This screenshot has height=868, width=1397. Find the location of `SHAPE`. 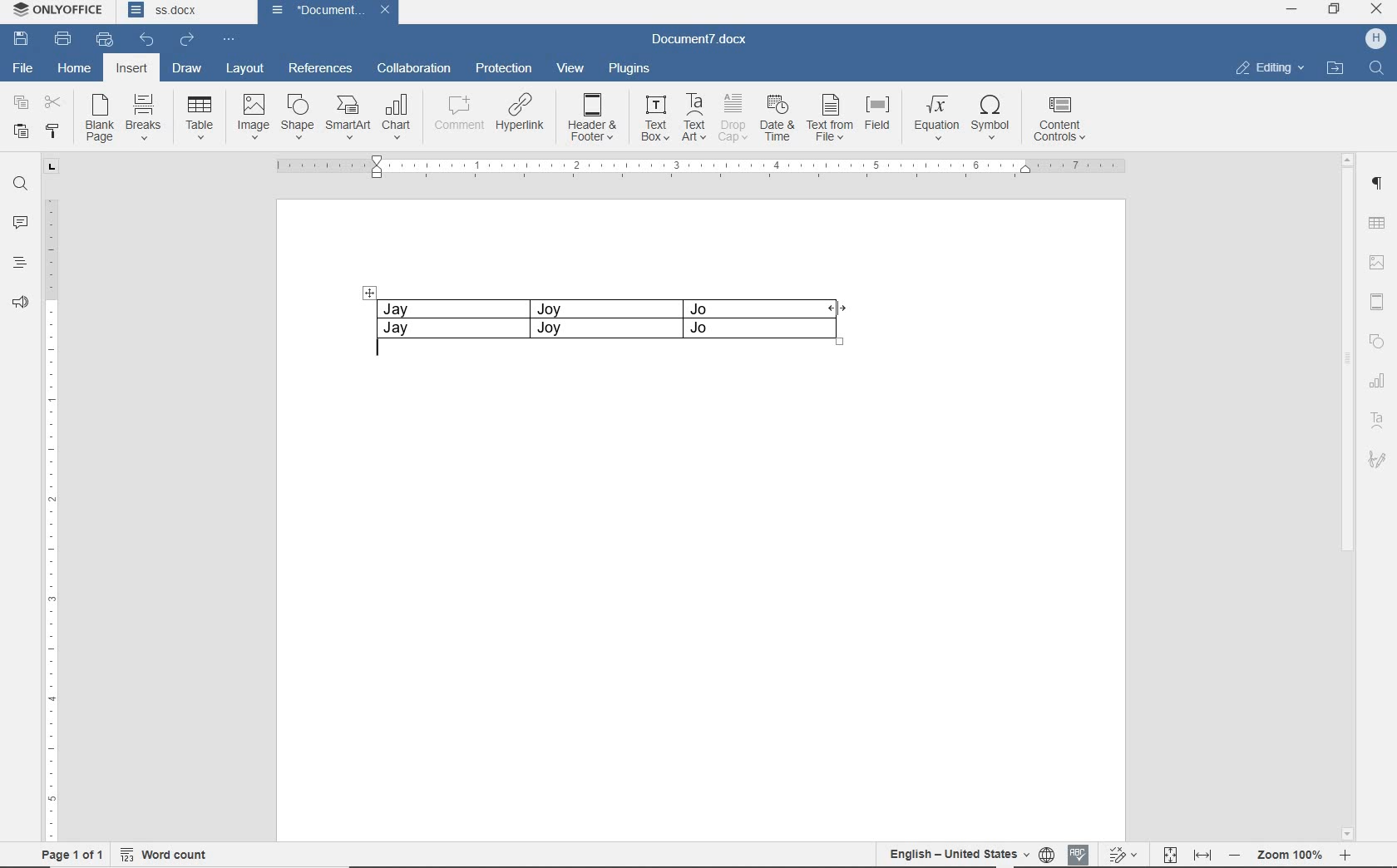

SHAPE is located at coordinates (294, 116).